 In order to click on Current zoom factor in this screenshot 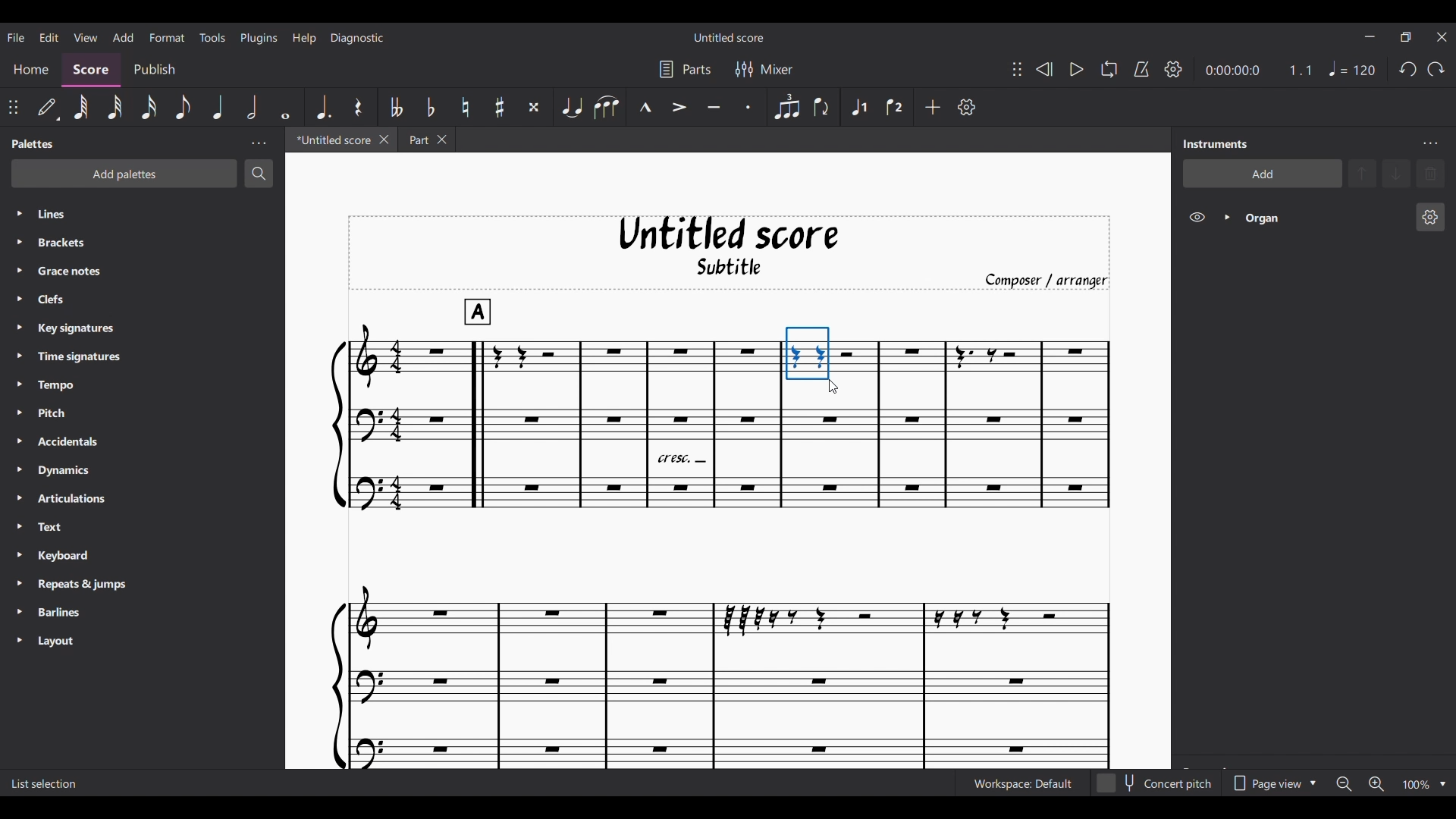, I will do `click(1417, 785)`.